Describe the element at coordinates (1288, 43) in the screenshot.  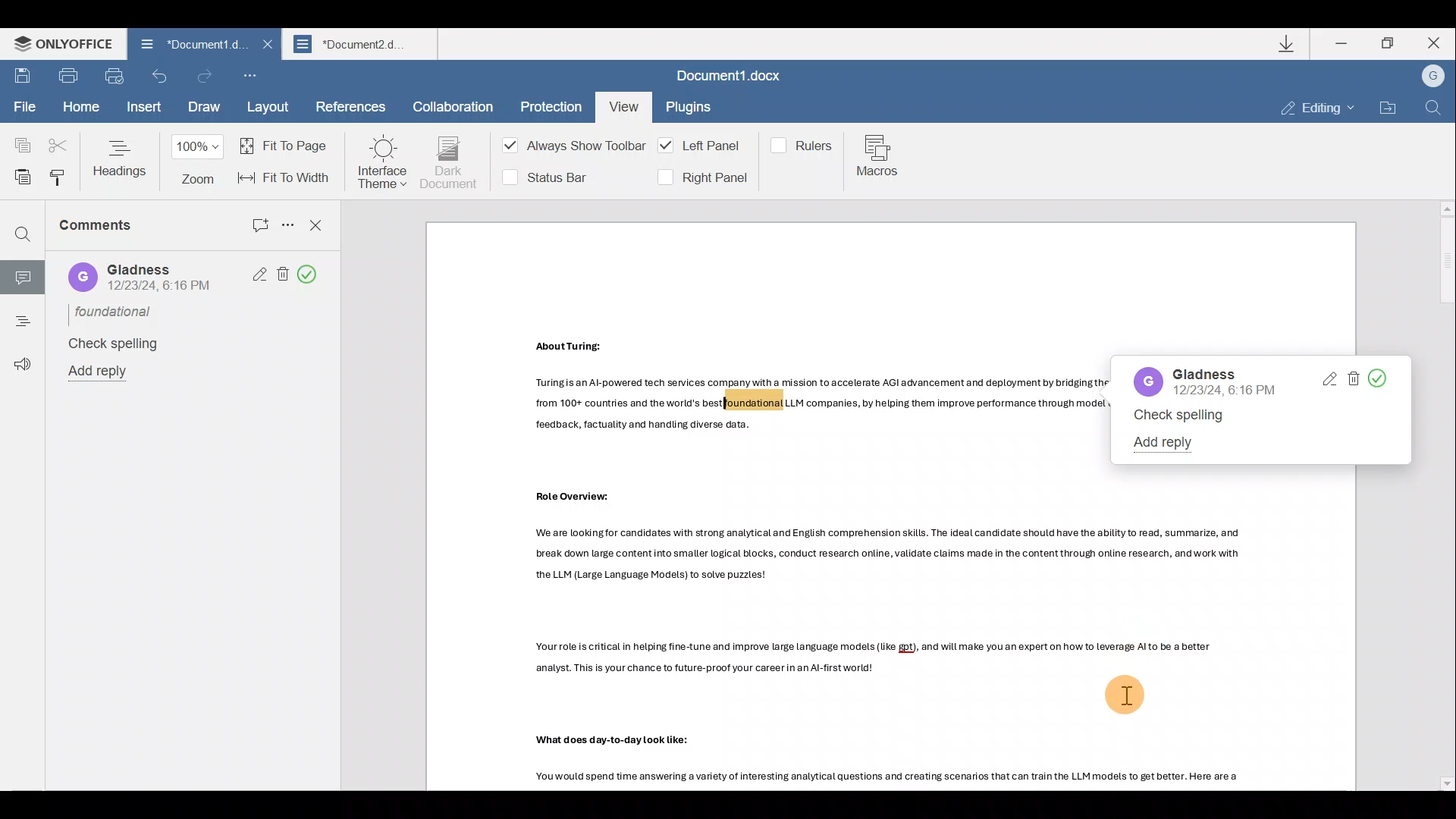
I see `Downloads` at that location.